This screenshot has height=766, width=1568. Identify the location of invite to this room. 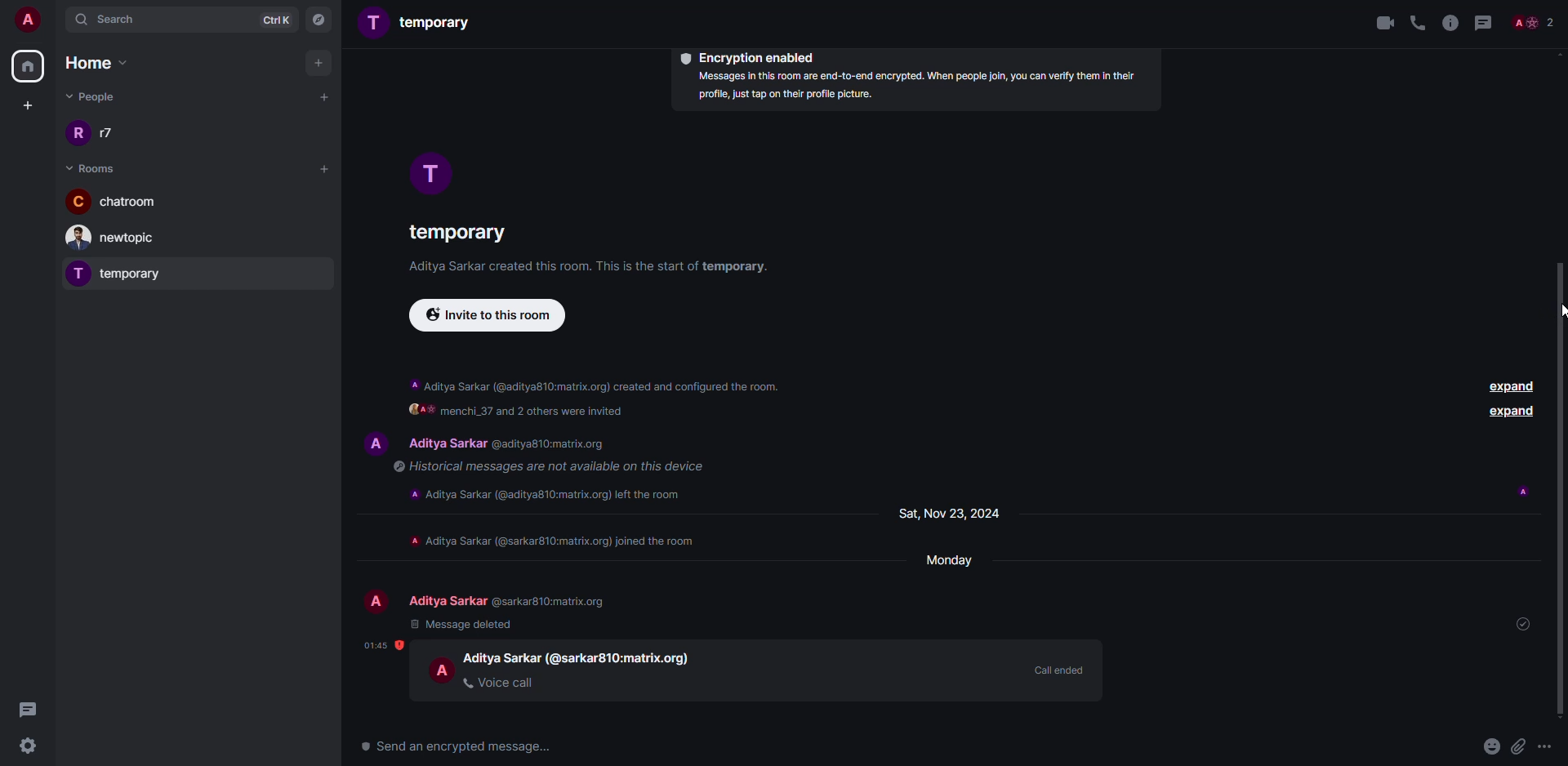
(486, 315).